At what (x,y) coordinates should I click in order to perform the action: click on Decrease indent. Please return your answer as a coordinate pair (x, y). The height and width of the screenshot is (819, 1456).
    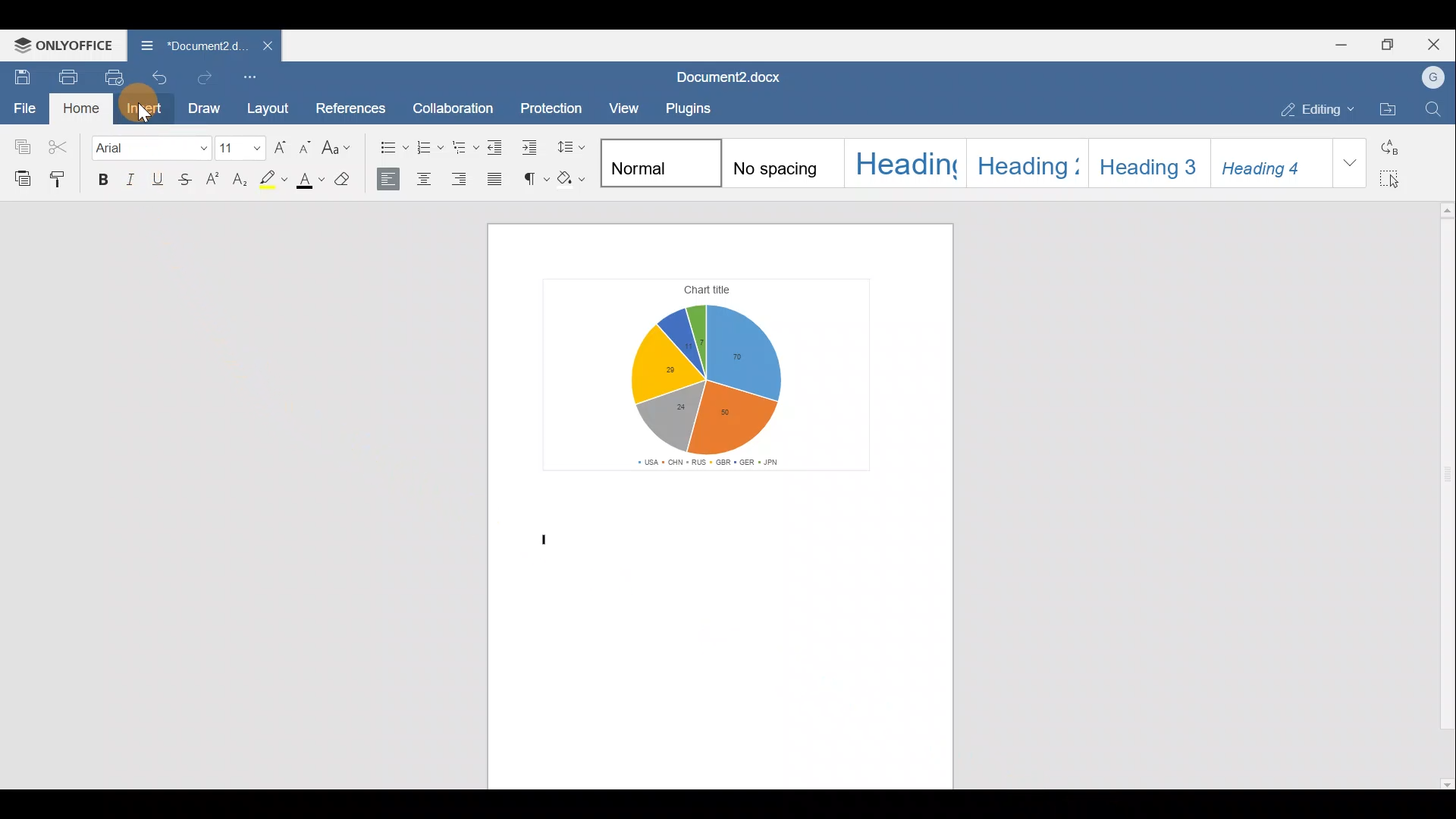
    Looking at the image, I should click on (499, 147).